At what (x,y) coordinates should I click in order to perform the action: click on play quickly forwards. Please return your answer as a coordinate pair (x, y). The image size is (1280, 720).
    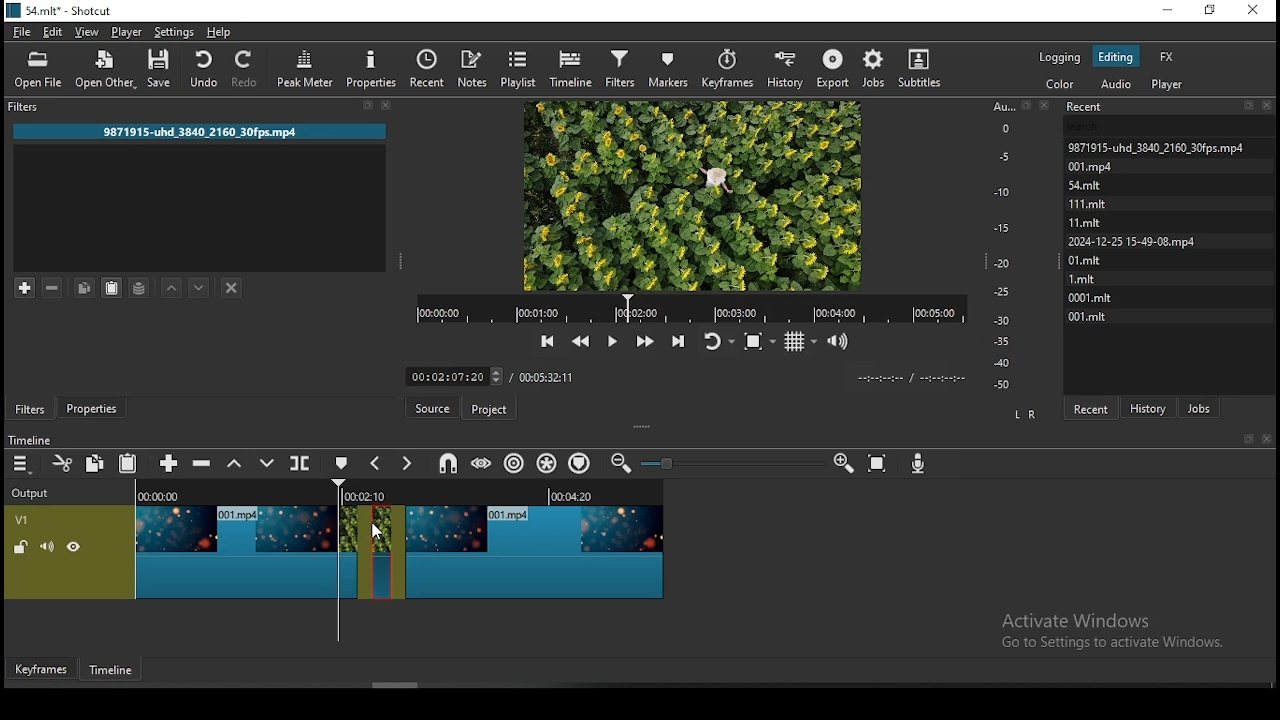
    Looking at the image, I should click on (642, 339).